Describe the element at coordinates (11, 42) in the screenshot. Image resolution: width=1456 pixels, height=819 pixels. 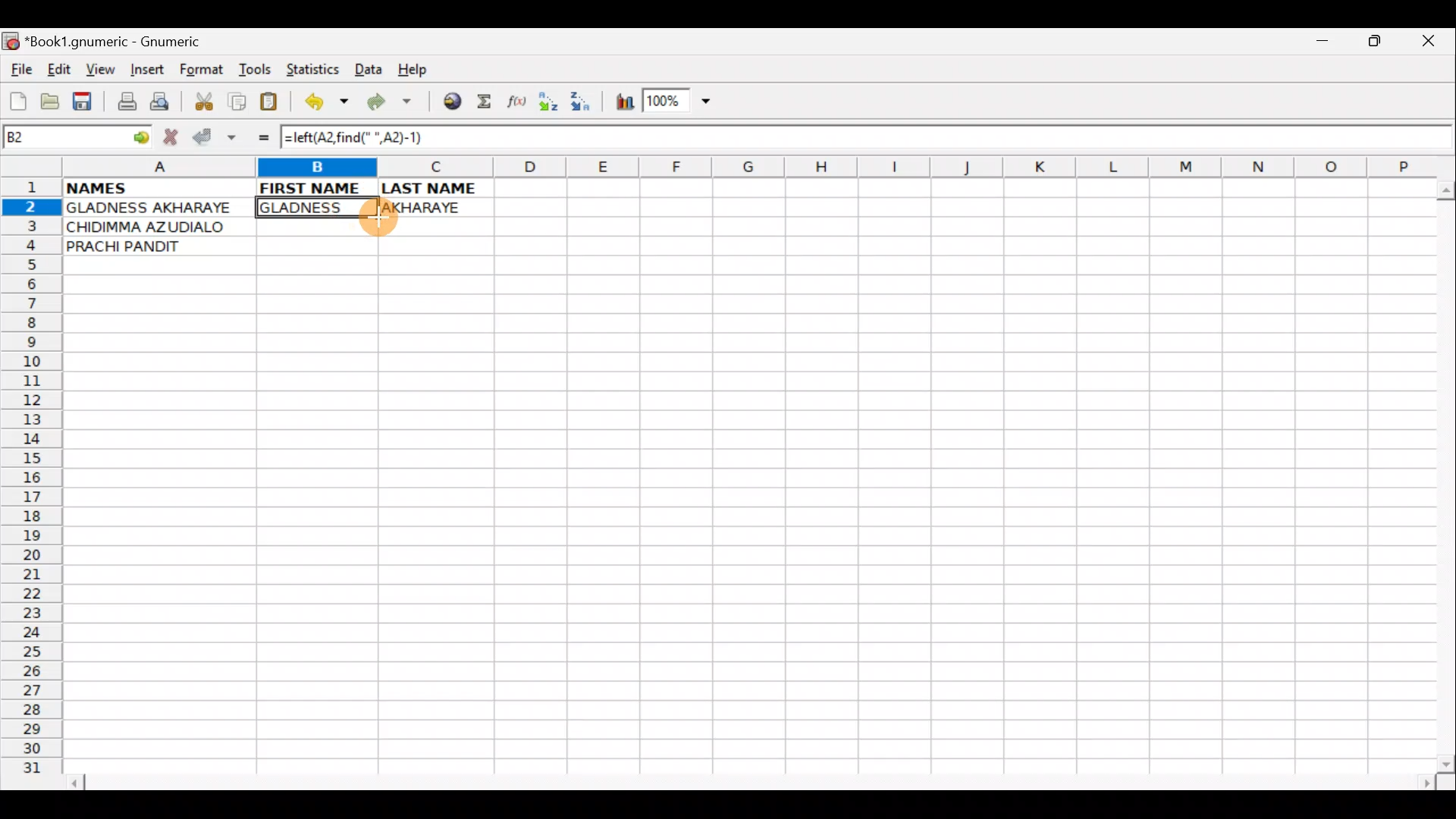
I see `Gnumeric logo` at that location.